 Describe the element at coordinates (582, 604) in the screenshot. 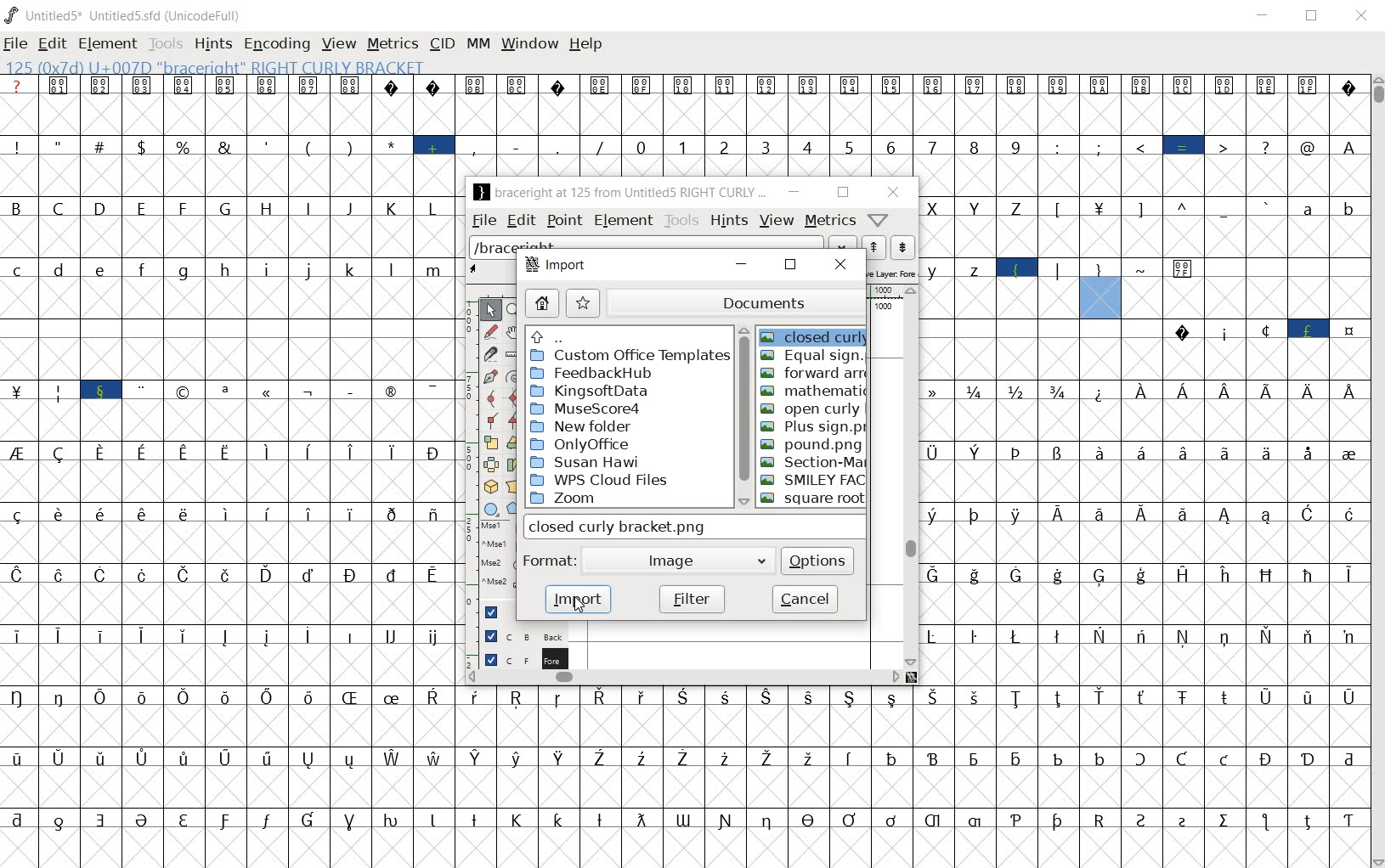

I see `cursor` at that location.